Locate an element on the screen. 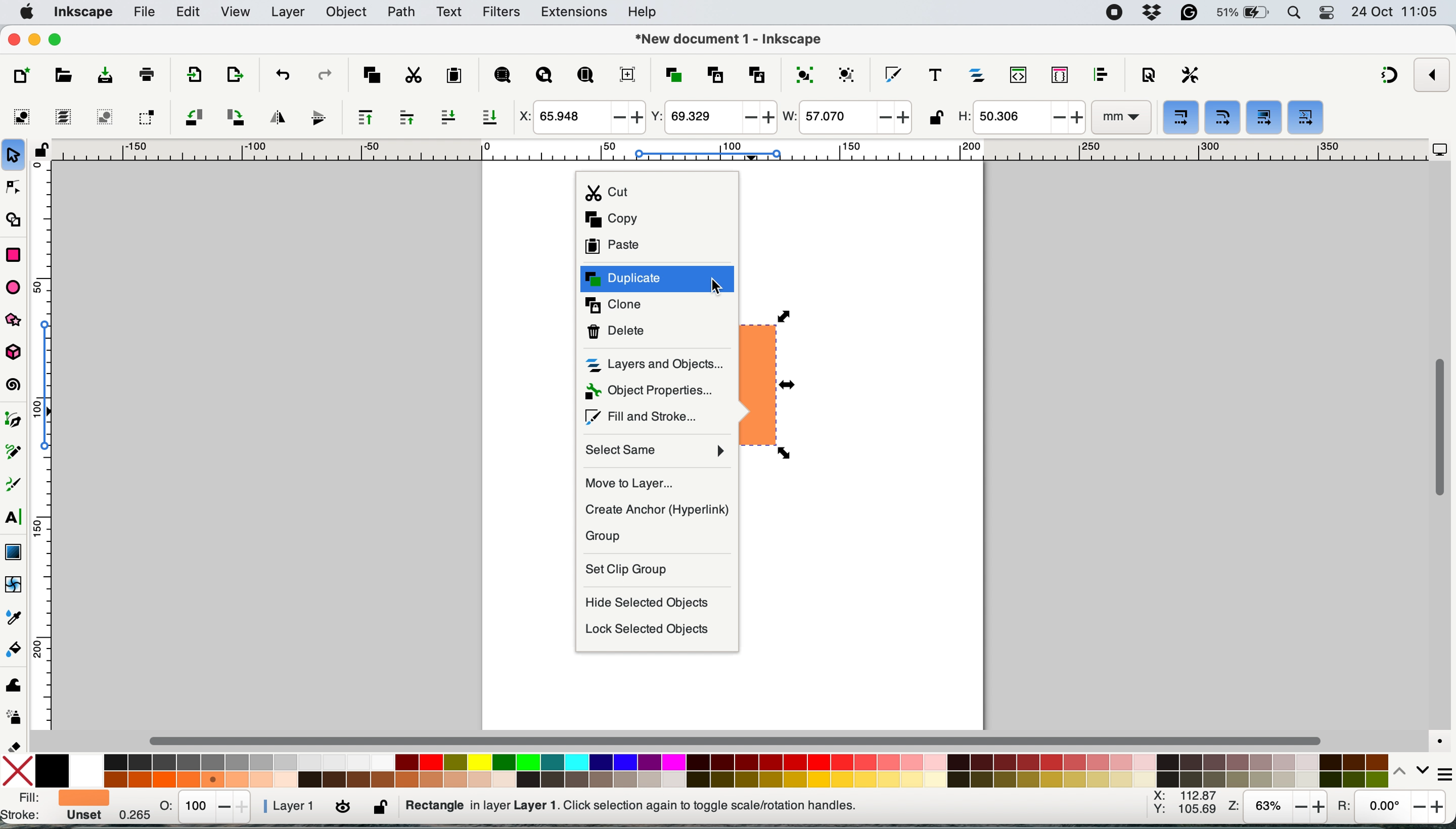 The height and width of the screenshot is (829, 1456). zoom drawing is located at coordinates (544, 77).